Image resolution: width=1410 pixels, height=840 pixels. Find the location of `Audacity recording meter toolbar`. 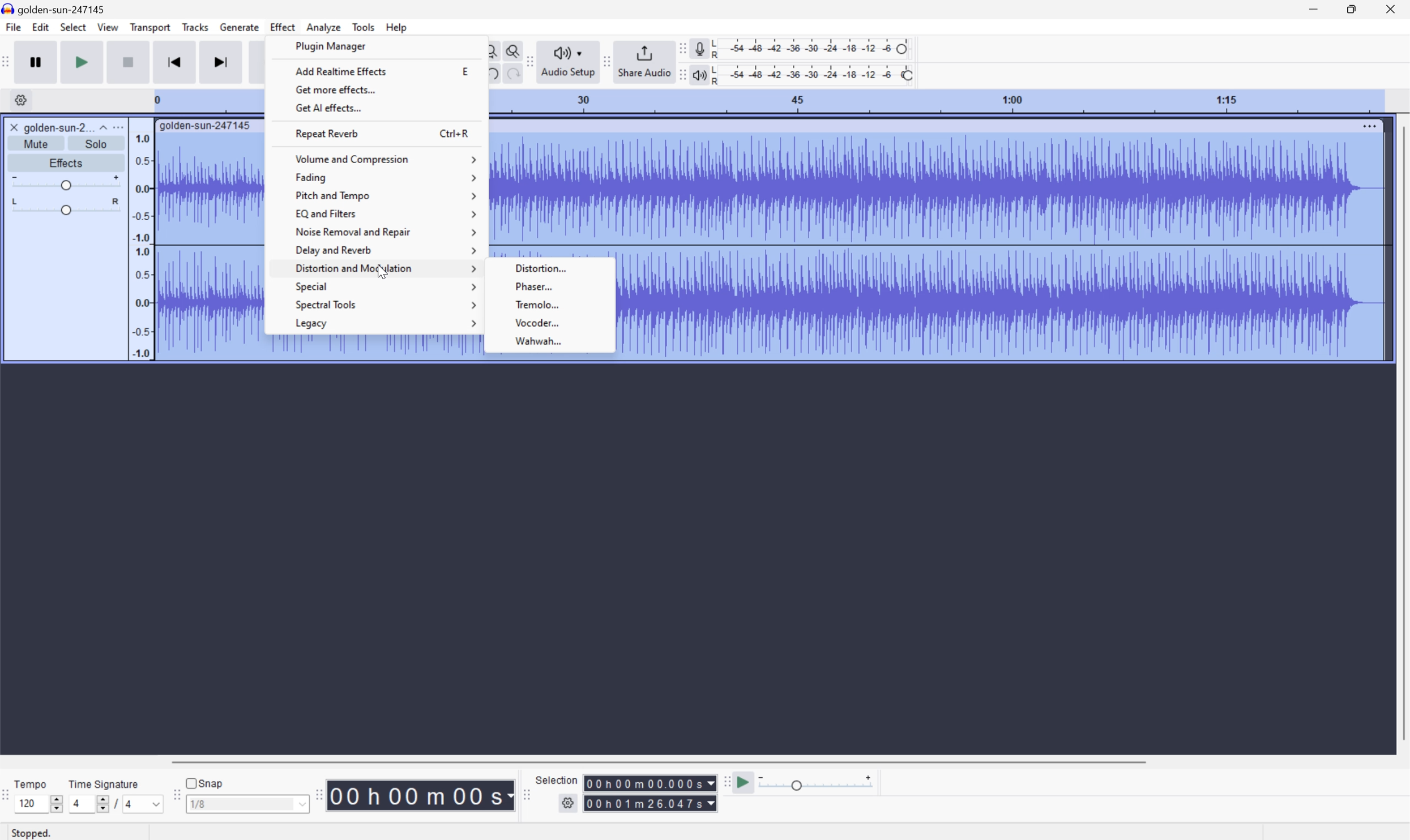

Audacity recording meter toolbar is located at coordinates (680, 48).